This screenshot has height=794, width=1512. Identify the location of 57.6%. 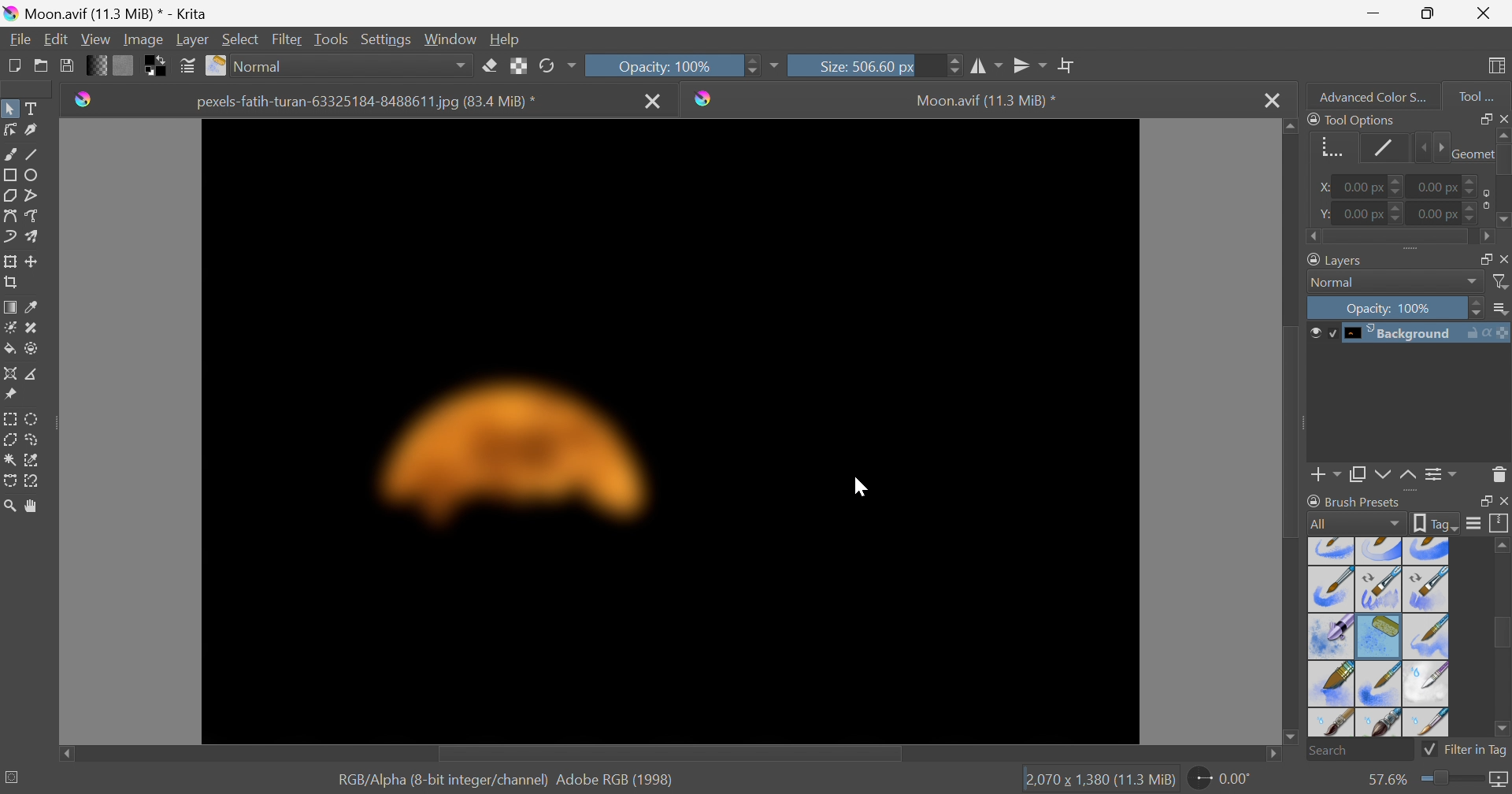
(1384, 780).